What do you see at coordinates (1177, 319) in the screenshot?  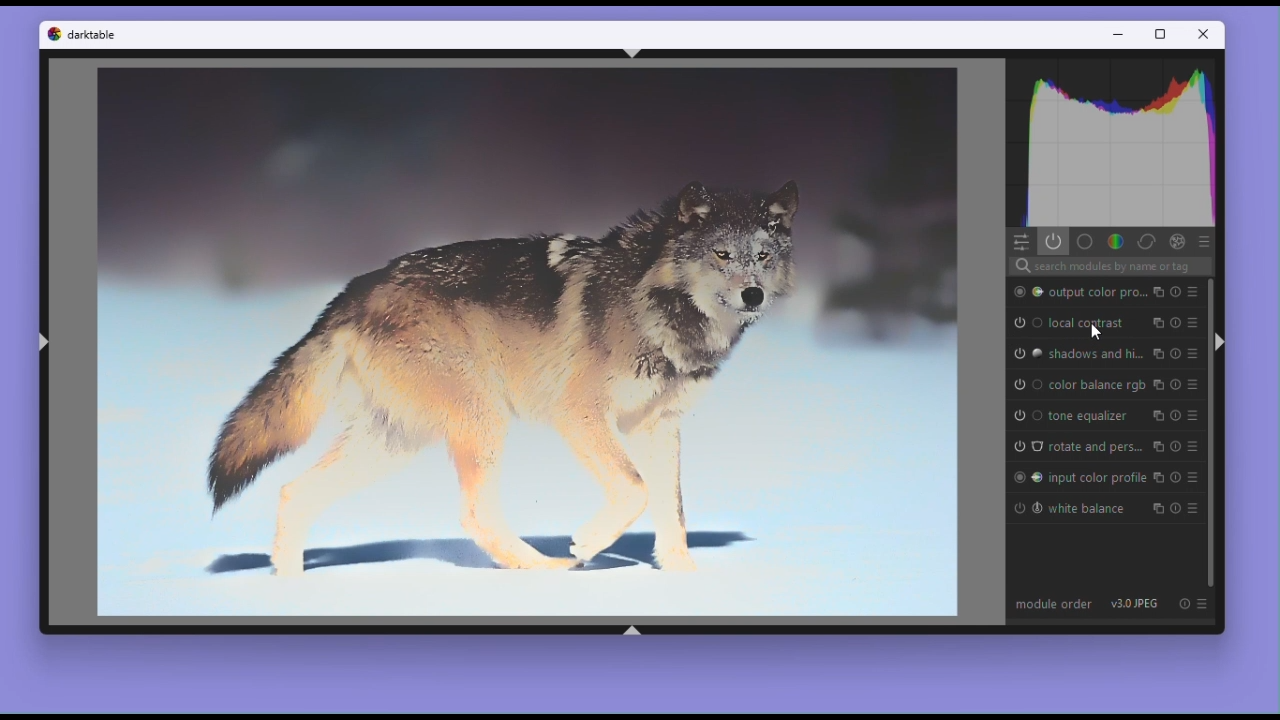 I see `Reset parameters` at bounding box center [1177, 319].